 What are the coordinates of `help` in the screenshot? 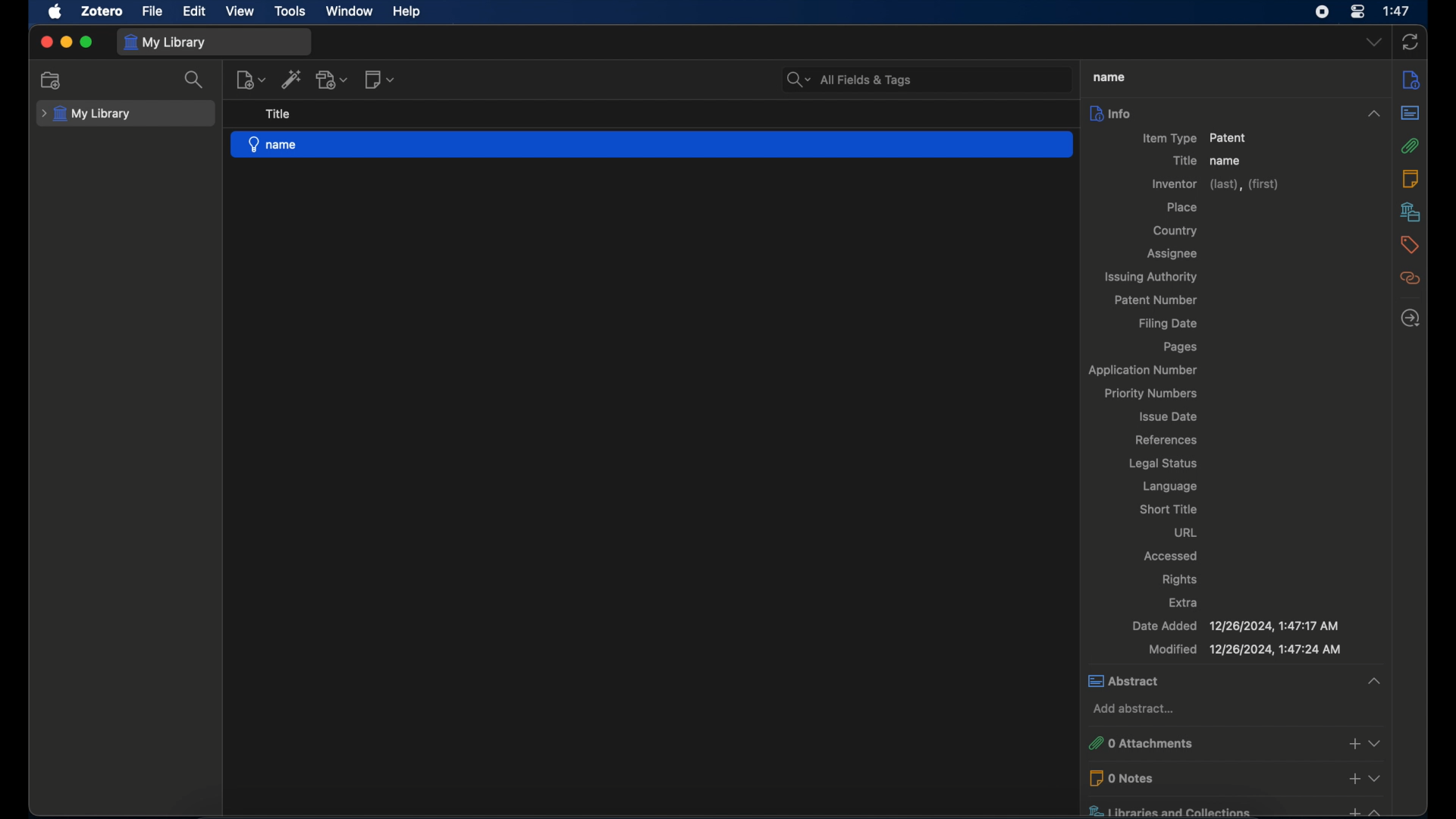 It's located at (406, 12).